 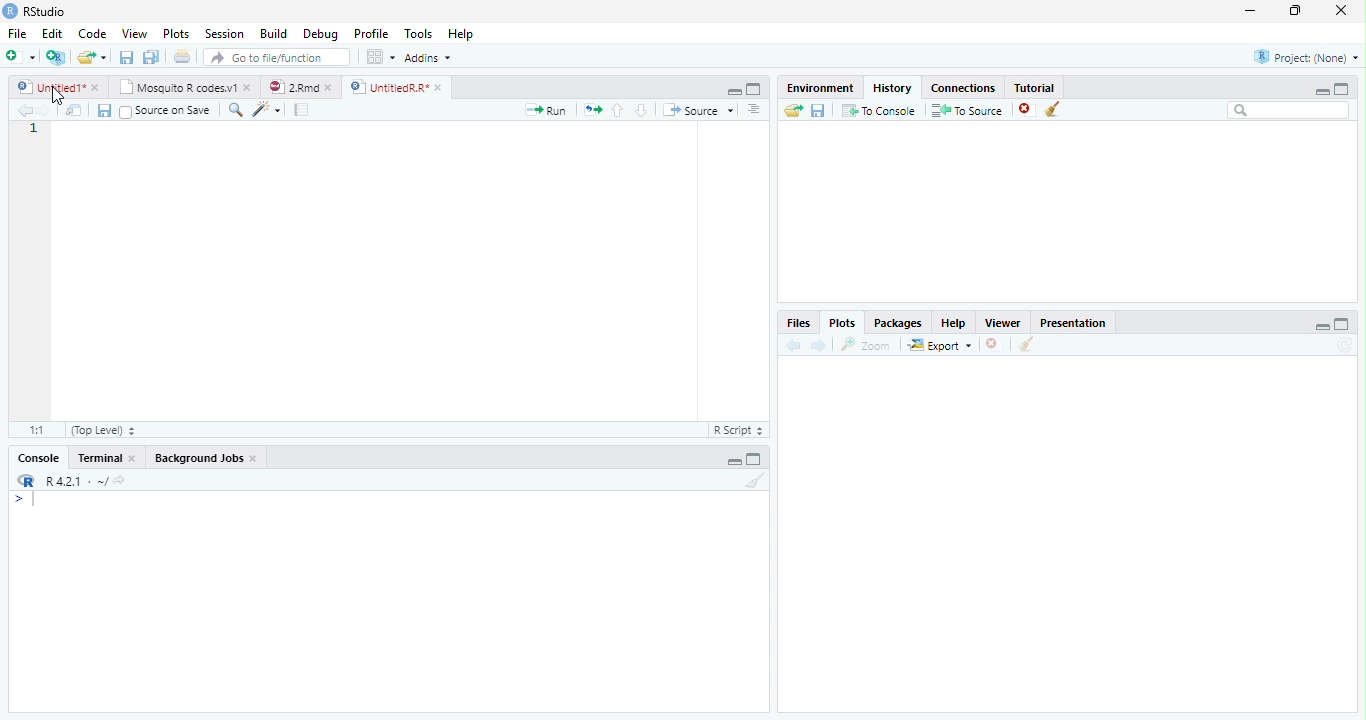 What do you see at coordinates (1341, 10) in the screenshot?
I see `close` at bounding box center [1341, 10].